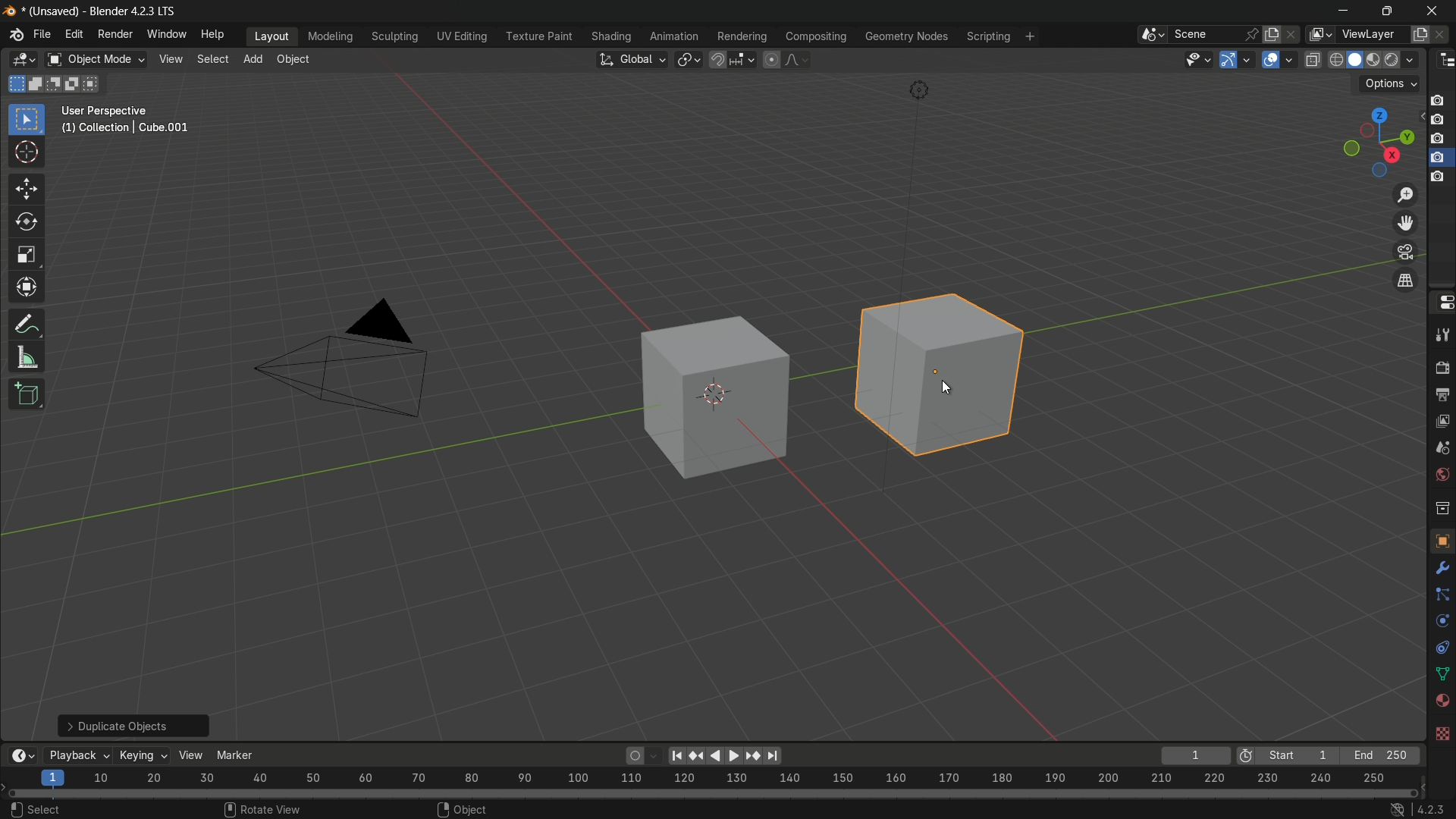 The width and height of the screenshot is (1456, 819). What do you see at coordinates (1249, 59) in the screenshot?
I see `gizmos` at bounding box center [1249, 59].